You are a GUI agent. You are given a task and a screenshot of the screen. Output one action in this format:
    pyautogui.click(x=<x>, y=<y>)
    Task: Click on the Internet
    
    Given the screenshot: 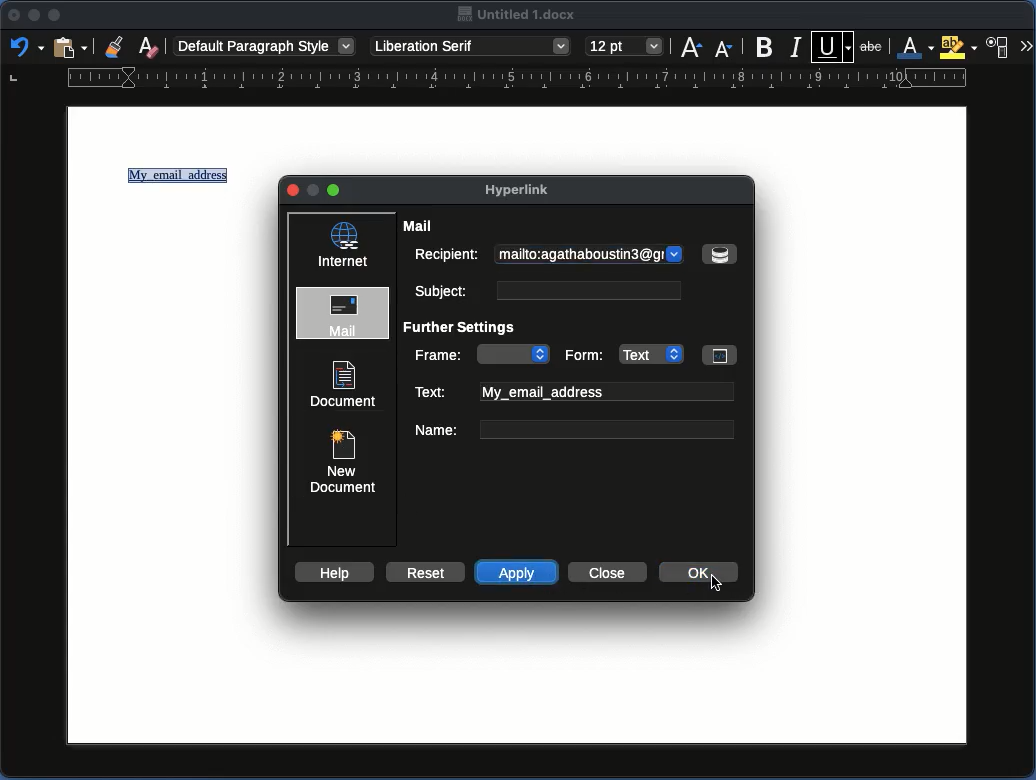 What is the action you would take?
    pyautogui.click(x=344, y=245)
    